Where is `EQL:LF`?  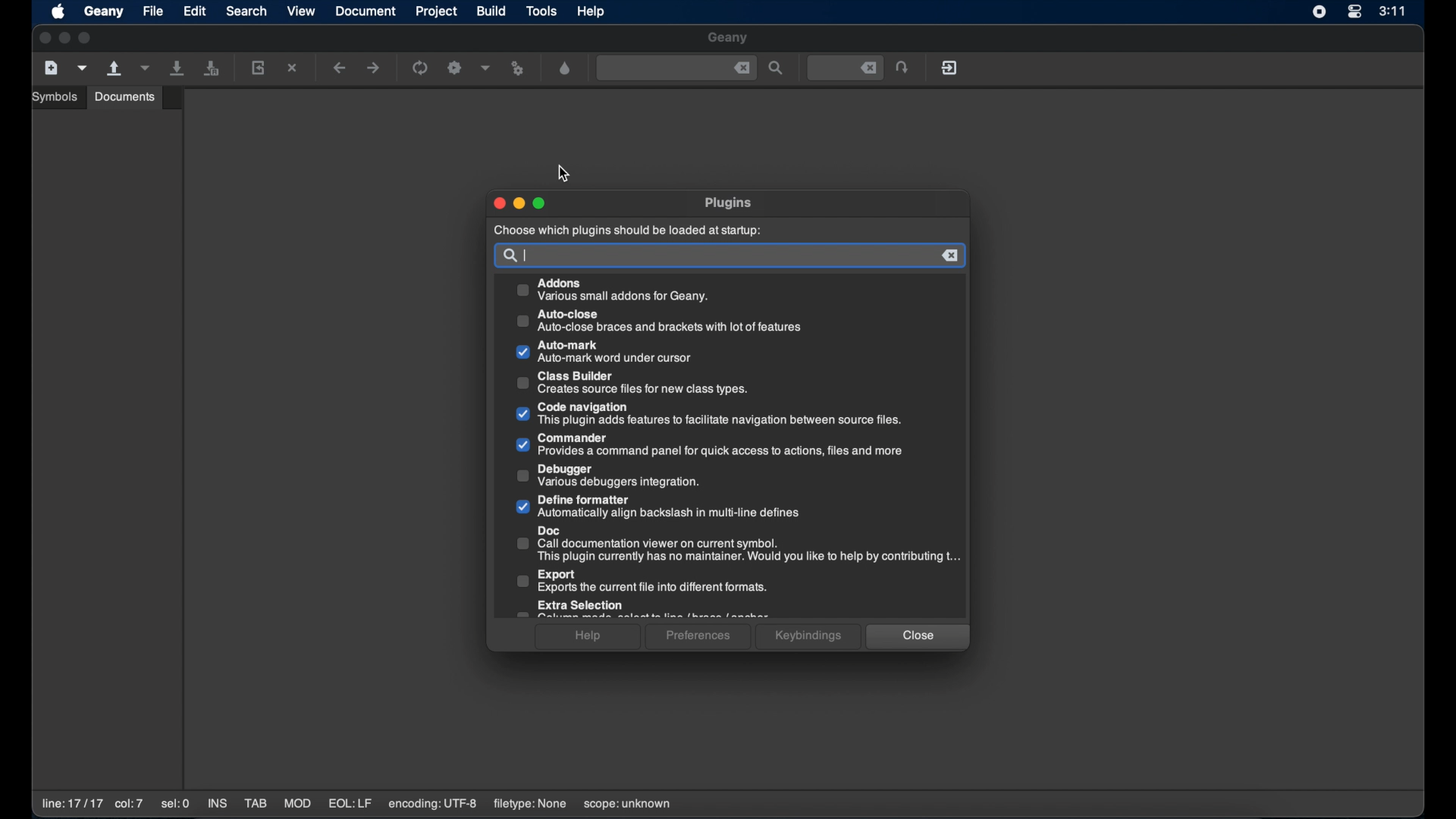 EQL:LF is located at coordinates (350, 804).